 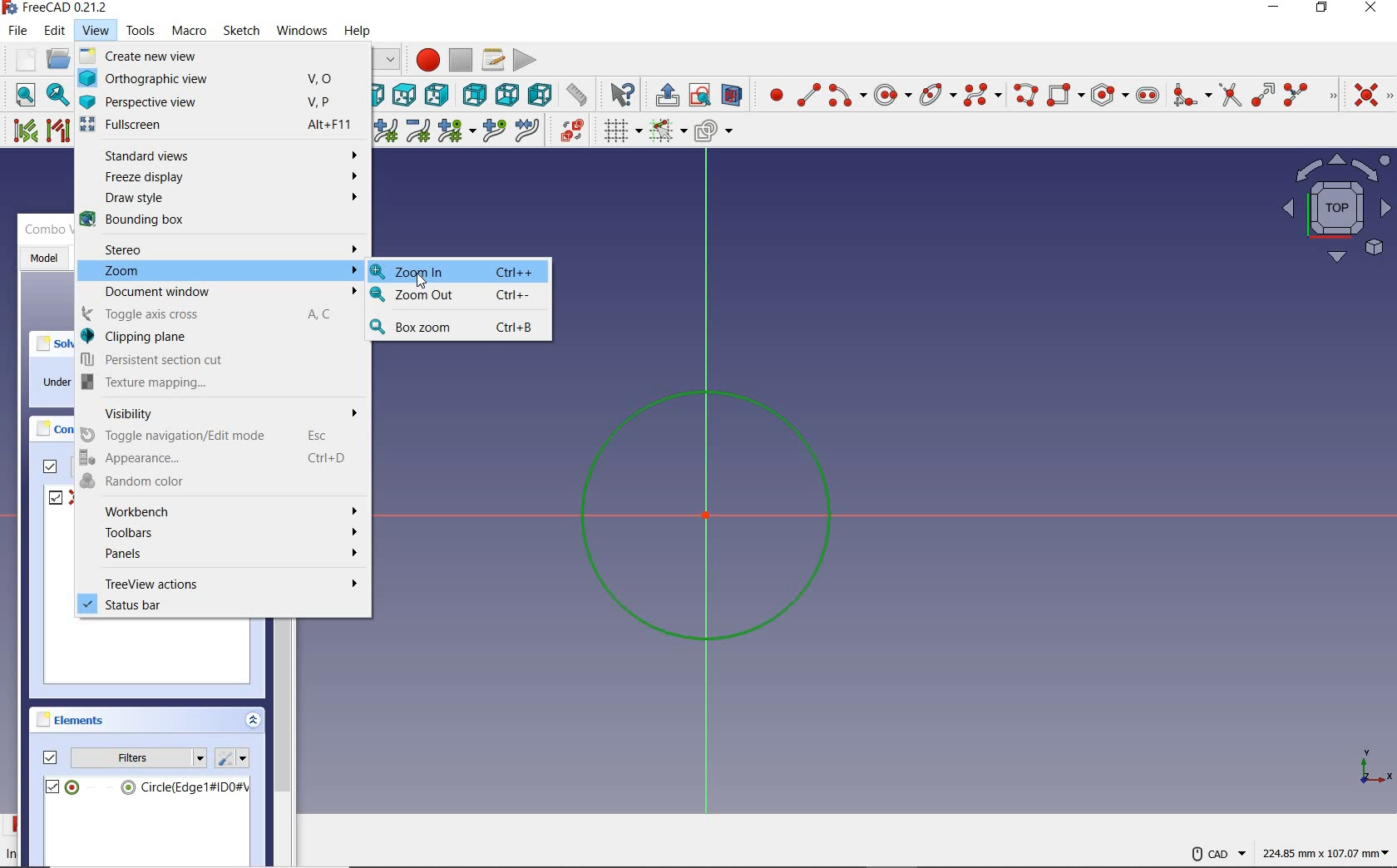 I want to click on B Texture mapping, so click(x=222, y=382).